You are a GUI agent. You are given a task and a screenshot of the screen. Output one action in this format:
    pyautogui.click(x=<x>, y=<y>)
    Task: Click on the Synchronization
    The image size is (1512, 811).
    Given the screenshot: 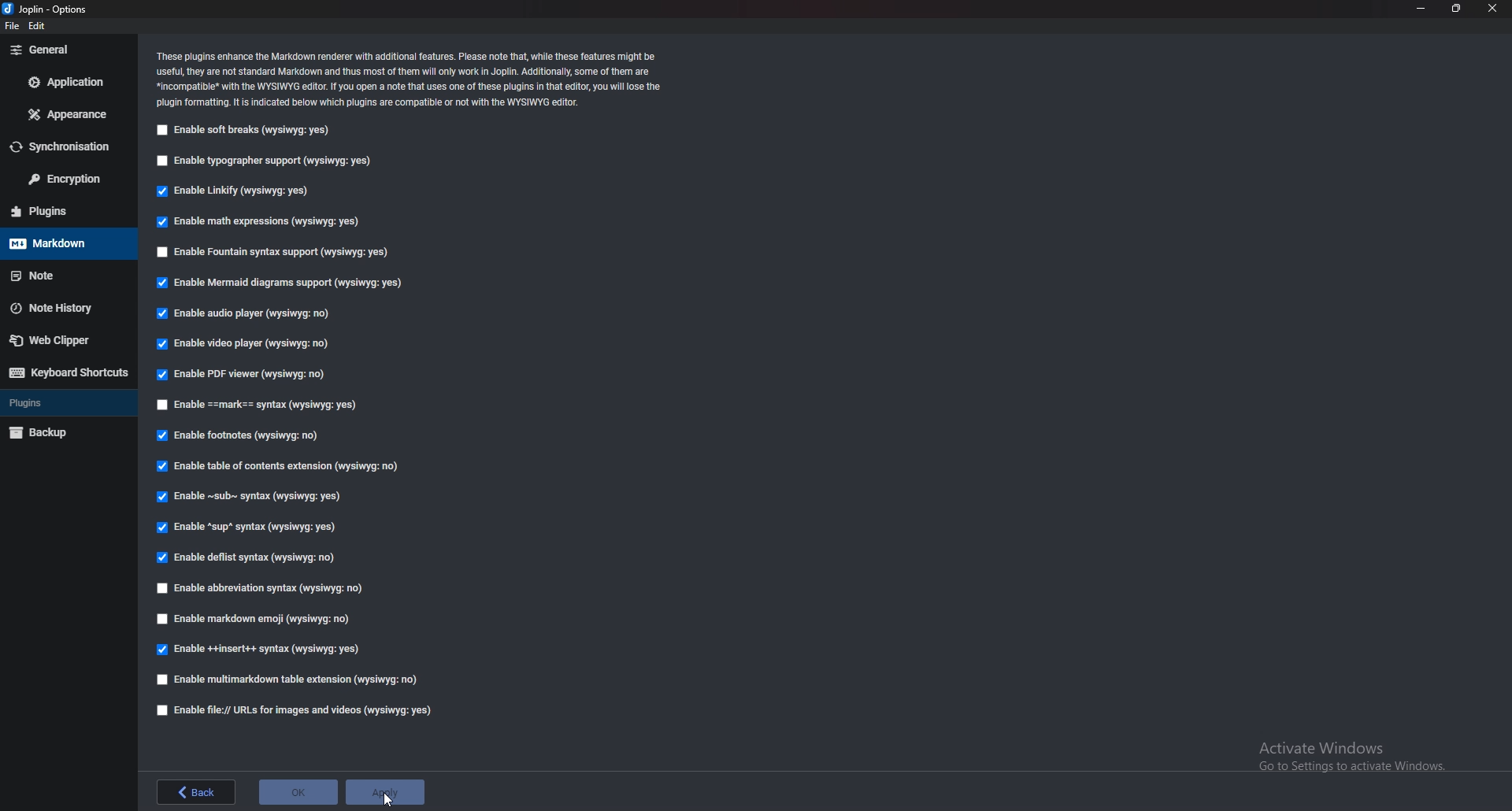 What is the action you would take?
    pyautogui.click(x=67, y=146)
    